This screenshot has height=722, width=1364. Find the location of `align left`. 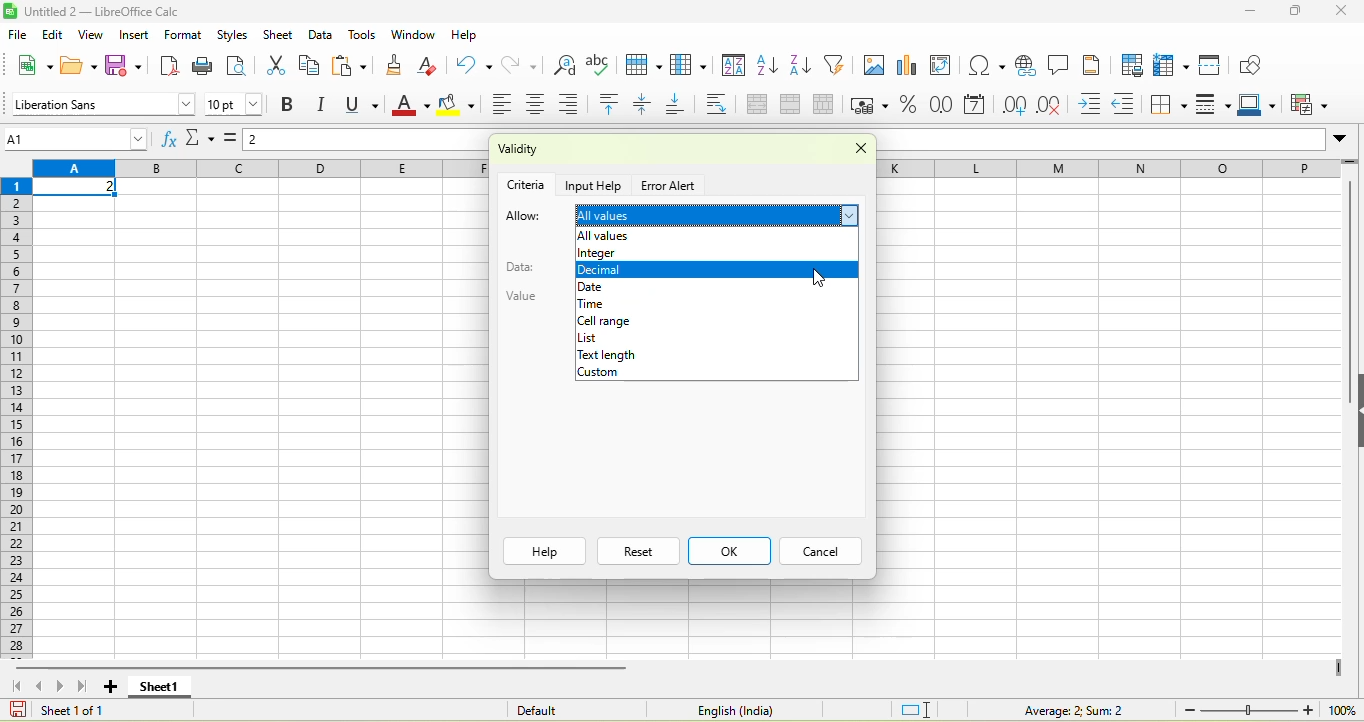

align left is located at coordinates (500, 106).